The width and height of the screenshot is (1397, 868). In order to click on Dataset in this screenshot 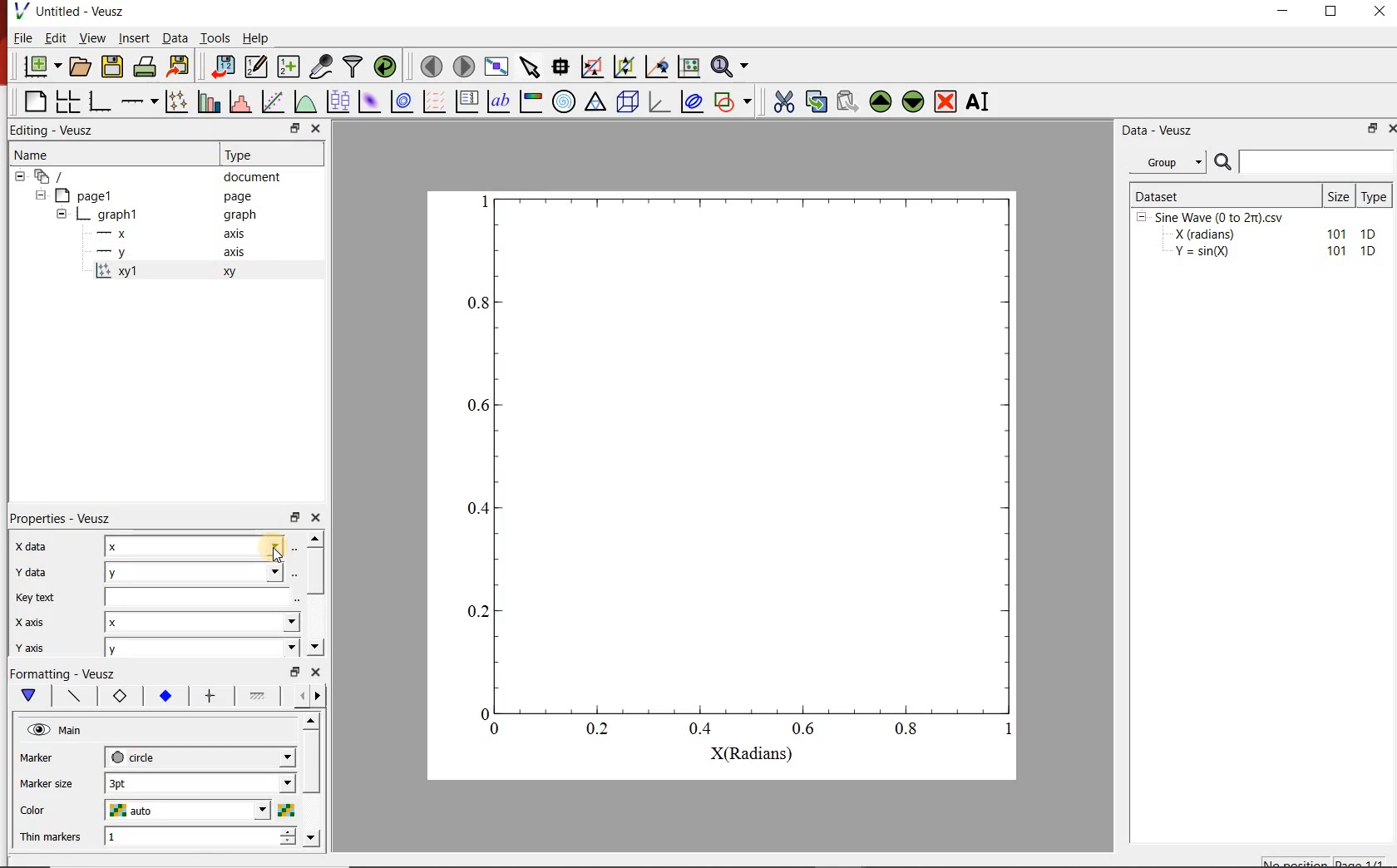, I will do `click(1224, 195)`.